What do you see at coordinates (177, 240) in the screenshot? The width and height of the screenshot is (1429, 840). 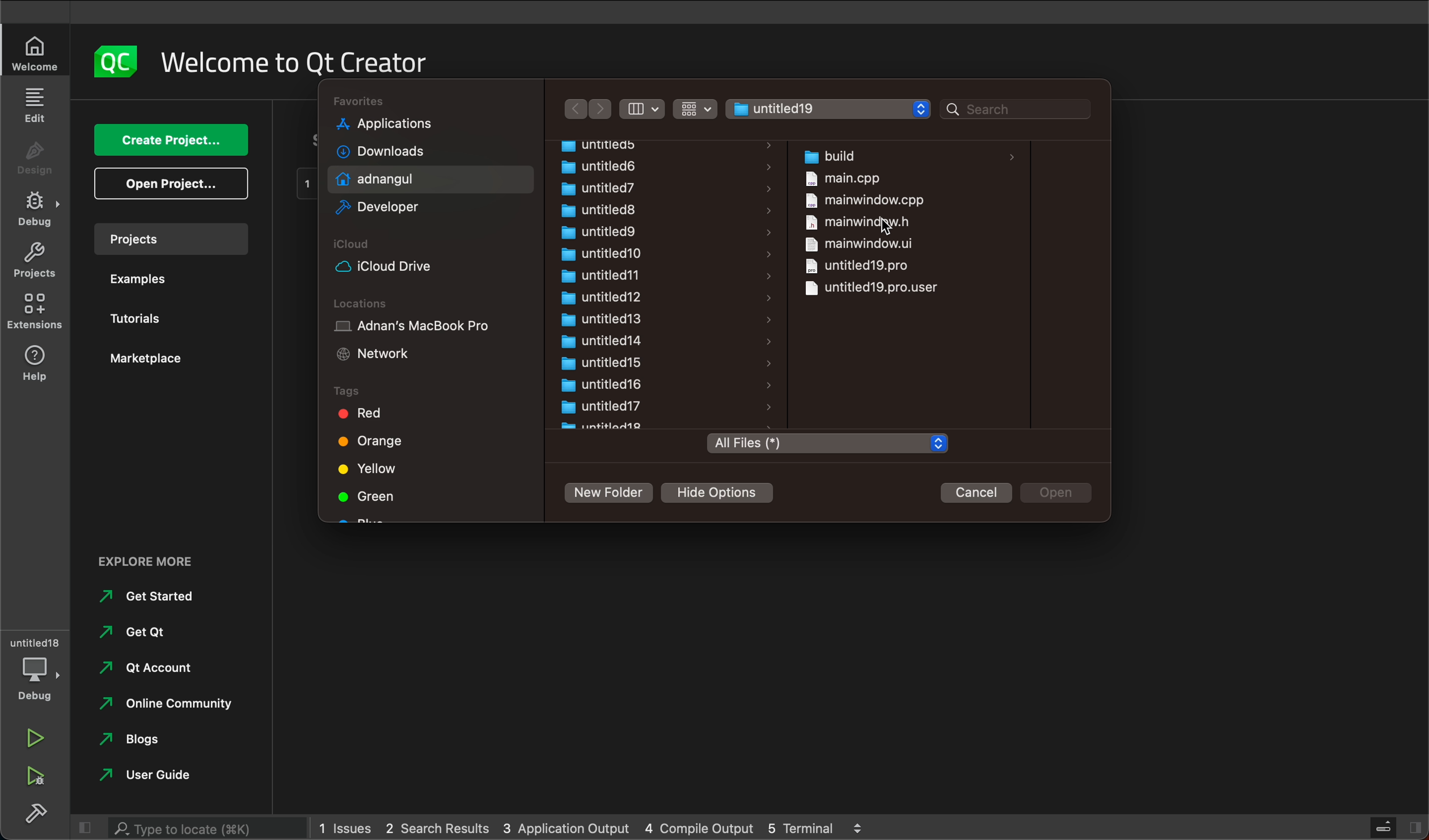 I see `project` at bounding box center [177, 240].